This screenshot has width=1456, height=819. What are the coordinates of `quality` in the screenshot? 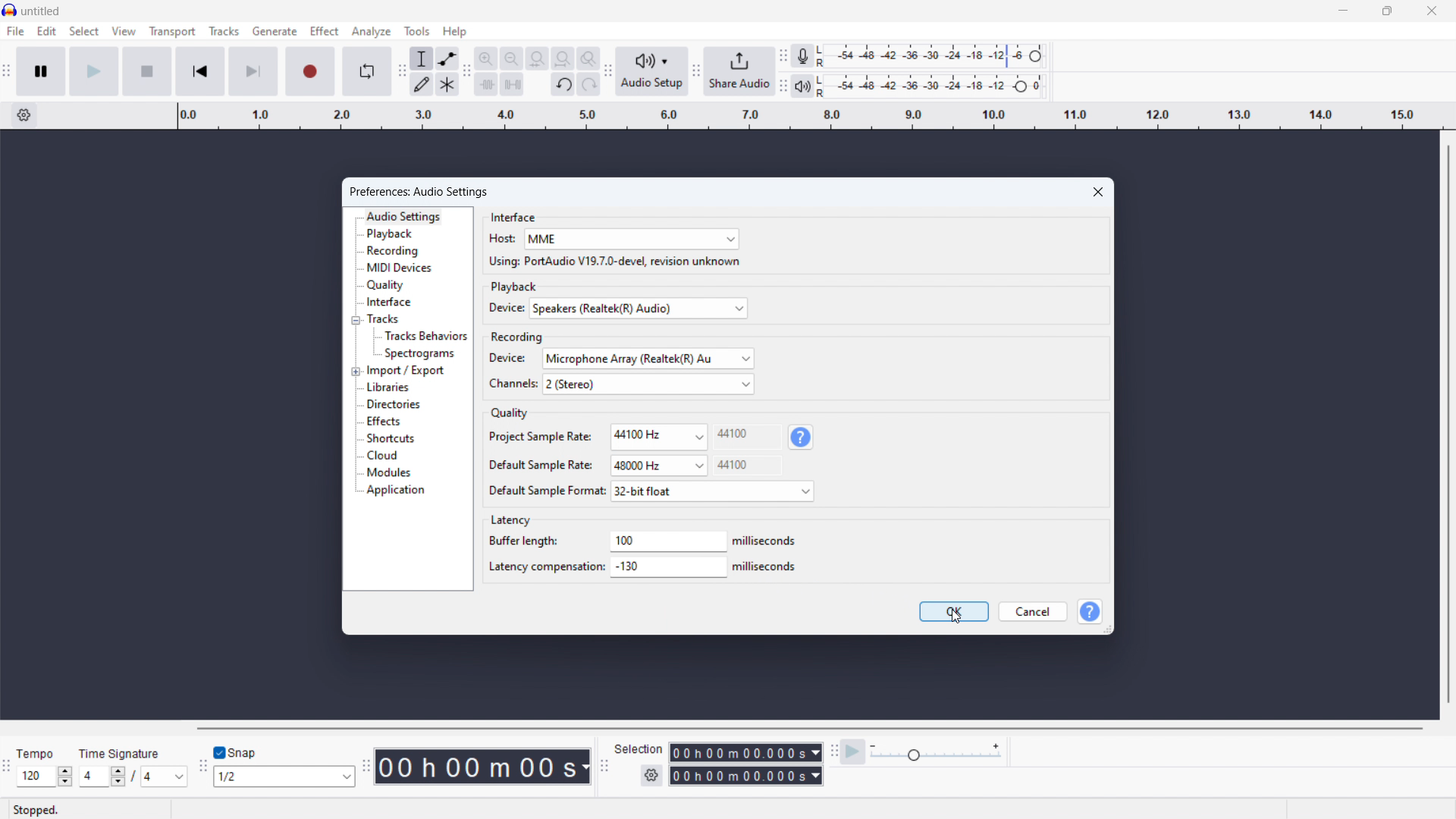 It's located at (508, 414).